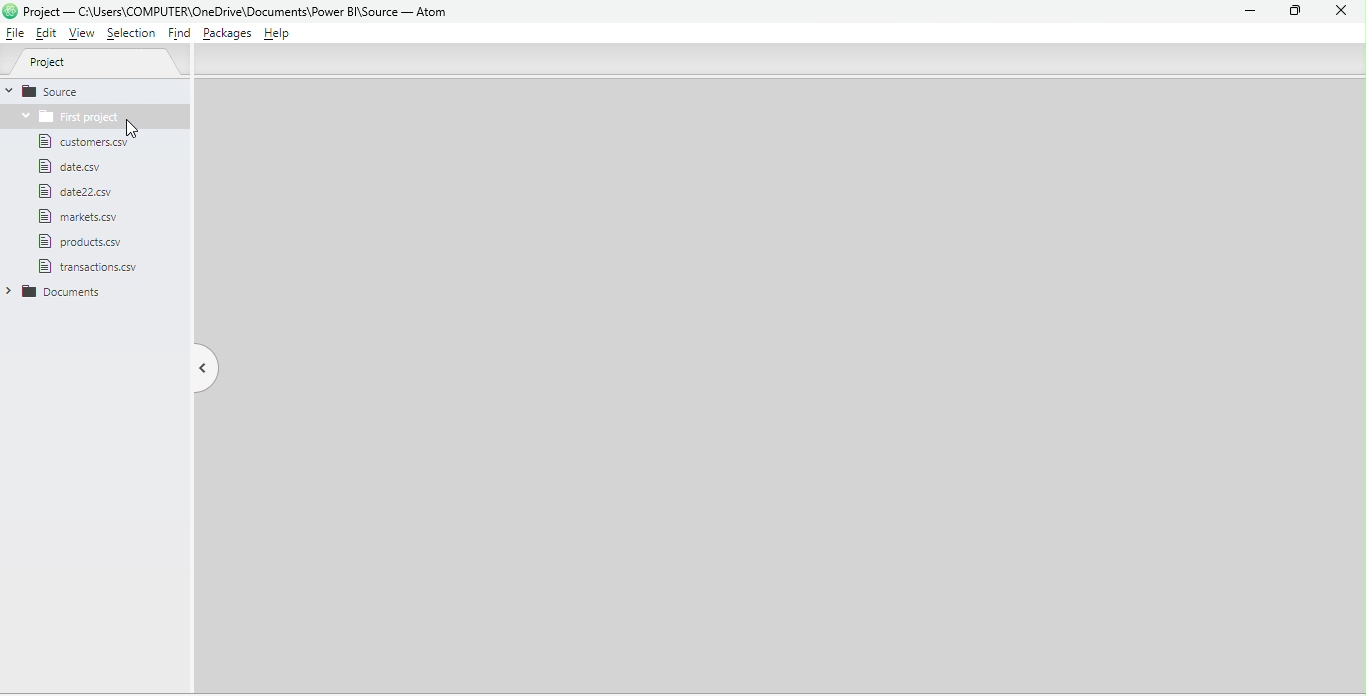  What do you see at coordinates (281, 35) in the screenshot?
I see `Help` at bounding box center [281, 35].